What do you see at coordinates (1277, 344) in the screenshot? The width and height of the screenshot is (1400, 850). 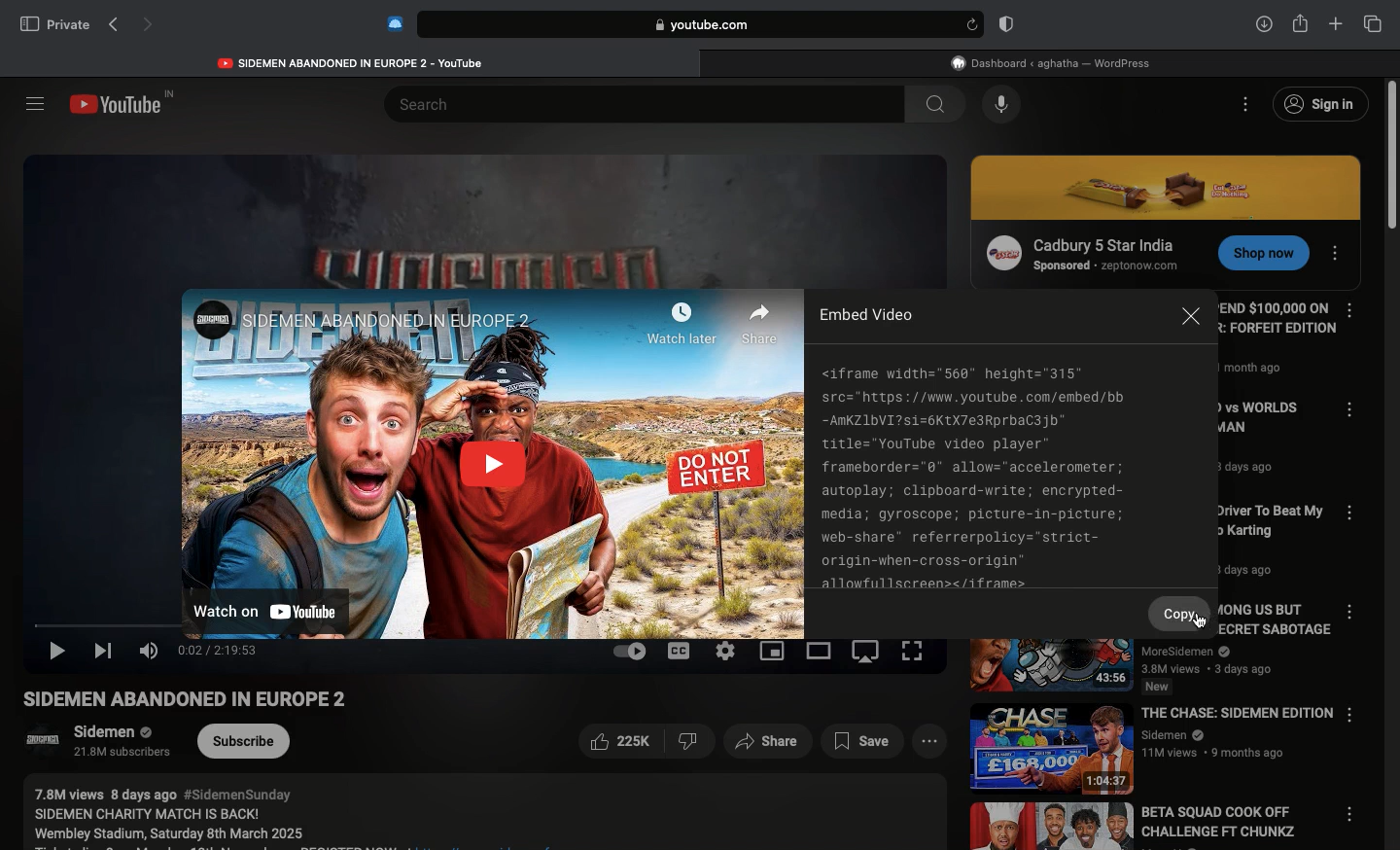 I see `Video name` at bounding box center [1277, 344].